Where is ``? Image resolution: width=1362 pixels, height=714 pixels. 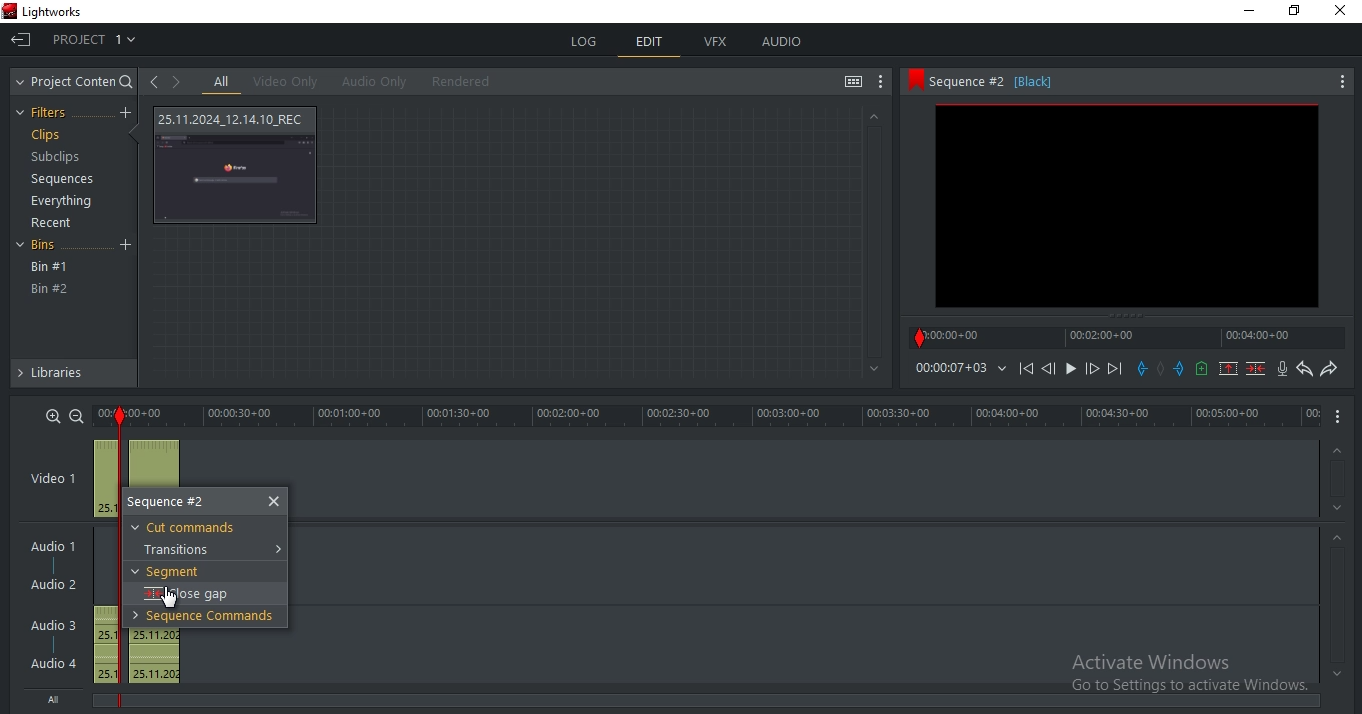
 is located at coordinates (176, 83).